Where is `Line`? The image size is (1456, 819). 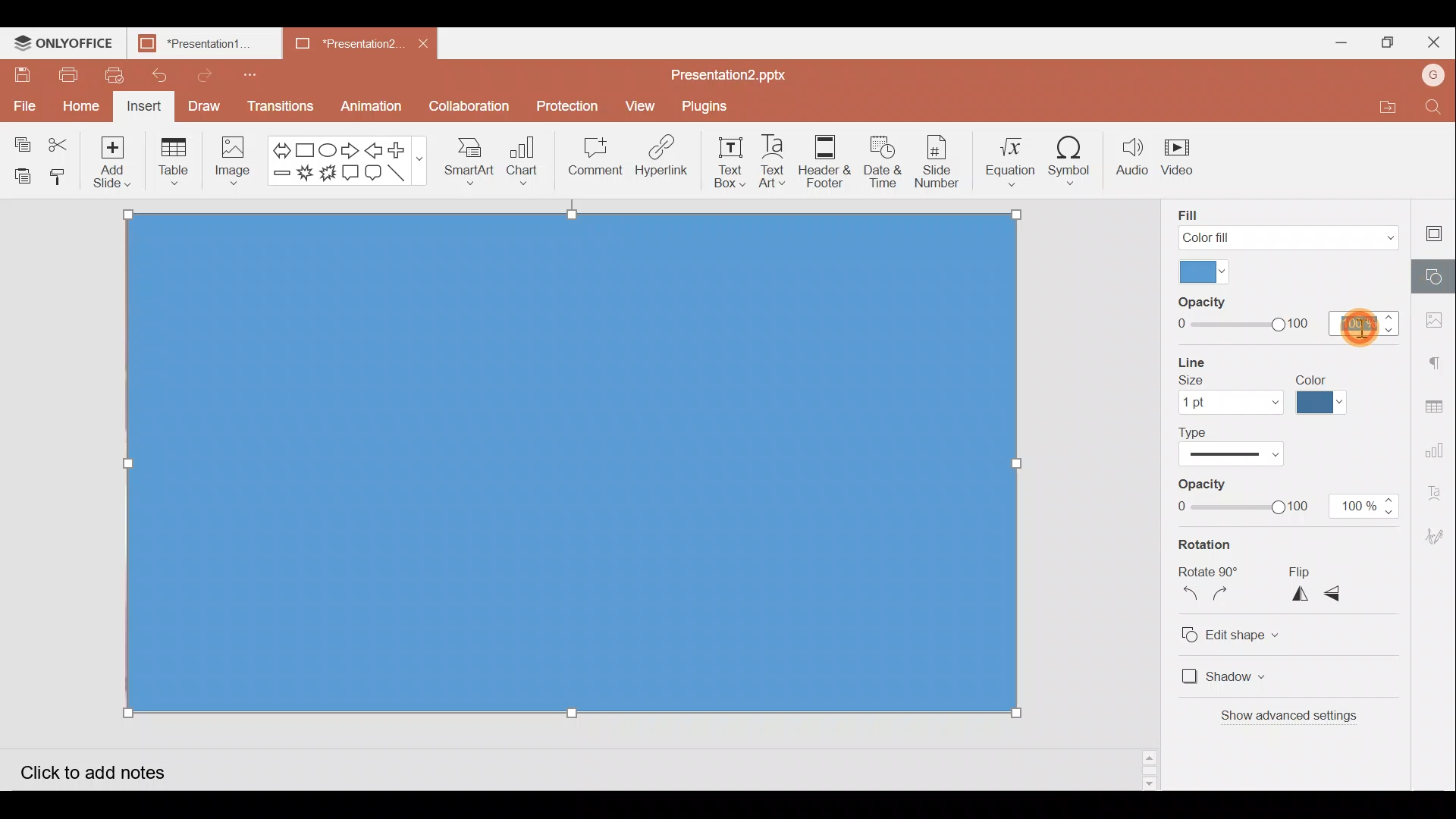
Line is located at coordinates (402, 175).